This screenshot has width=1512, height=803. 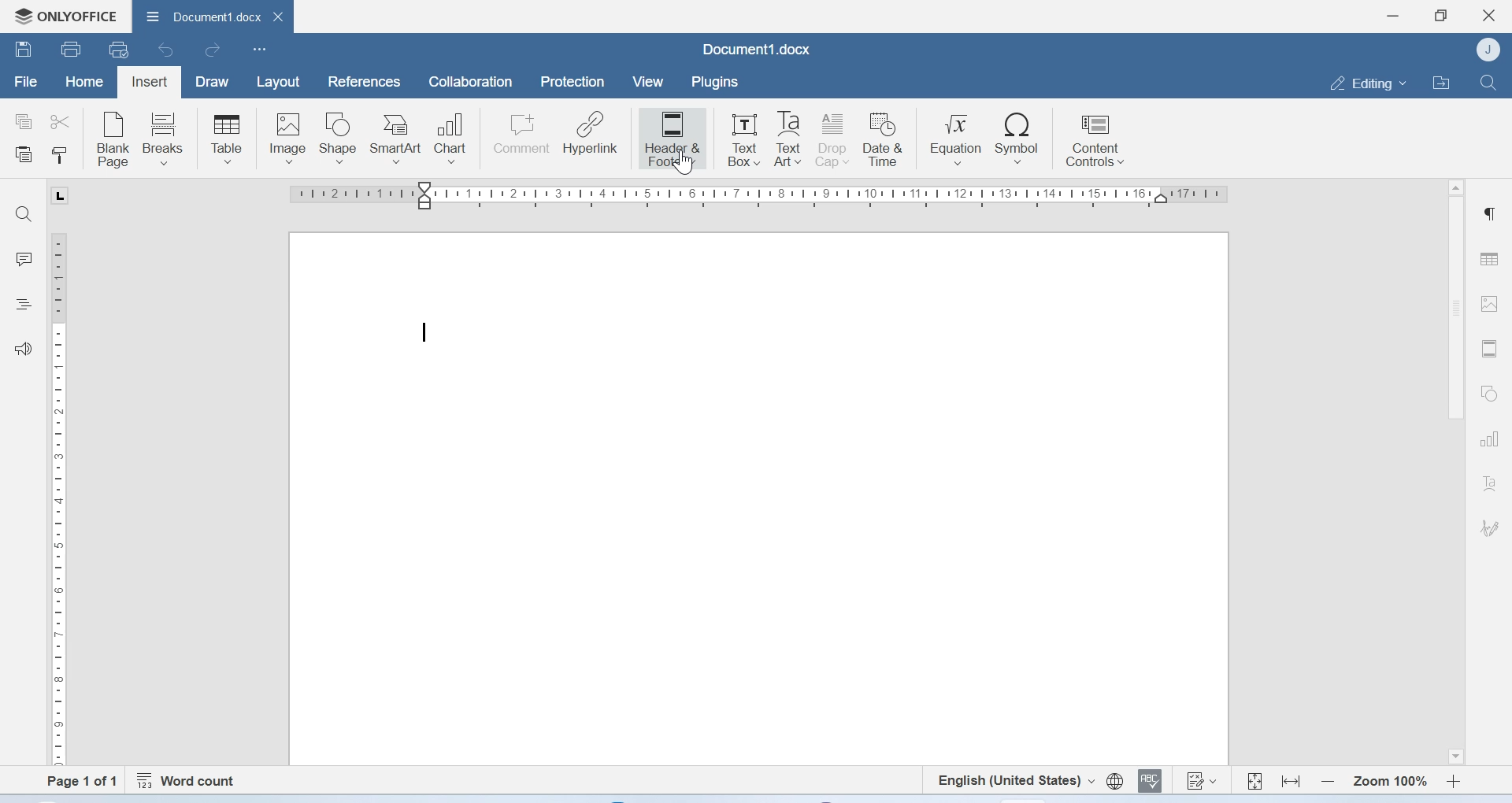 What do you see at coordinates (1203, 783) in the screenshot?
I see `Track changes` at bounding box center [1203, 783].